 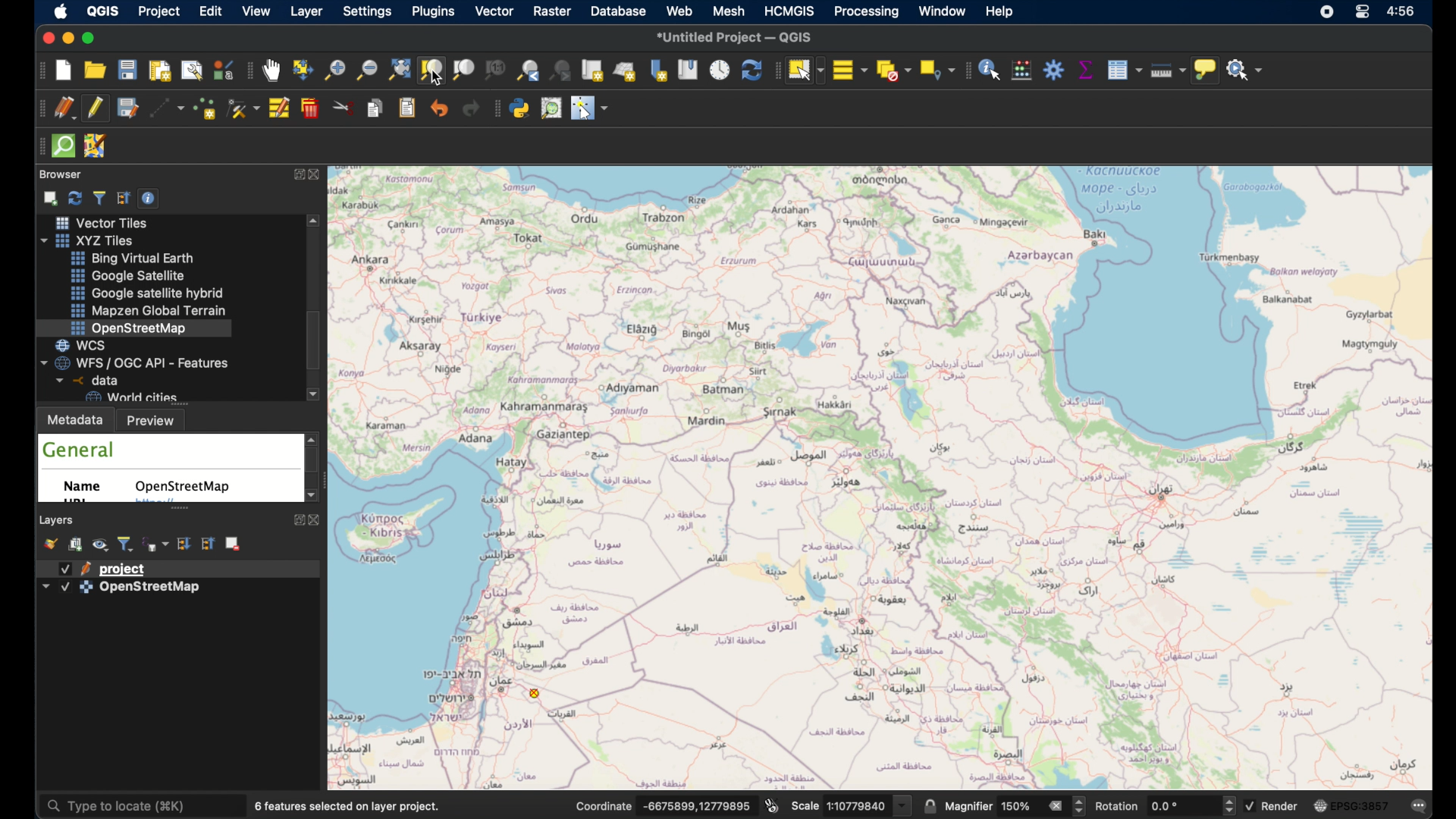 I want to click on new 3d map view, so click(x=626, y=71).